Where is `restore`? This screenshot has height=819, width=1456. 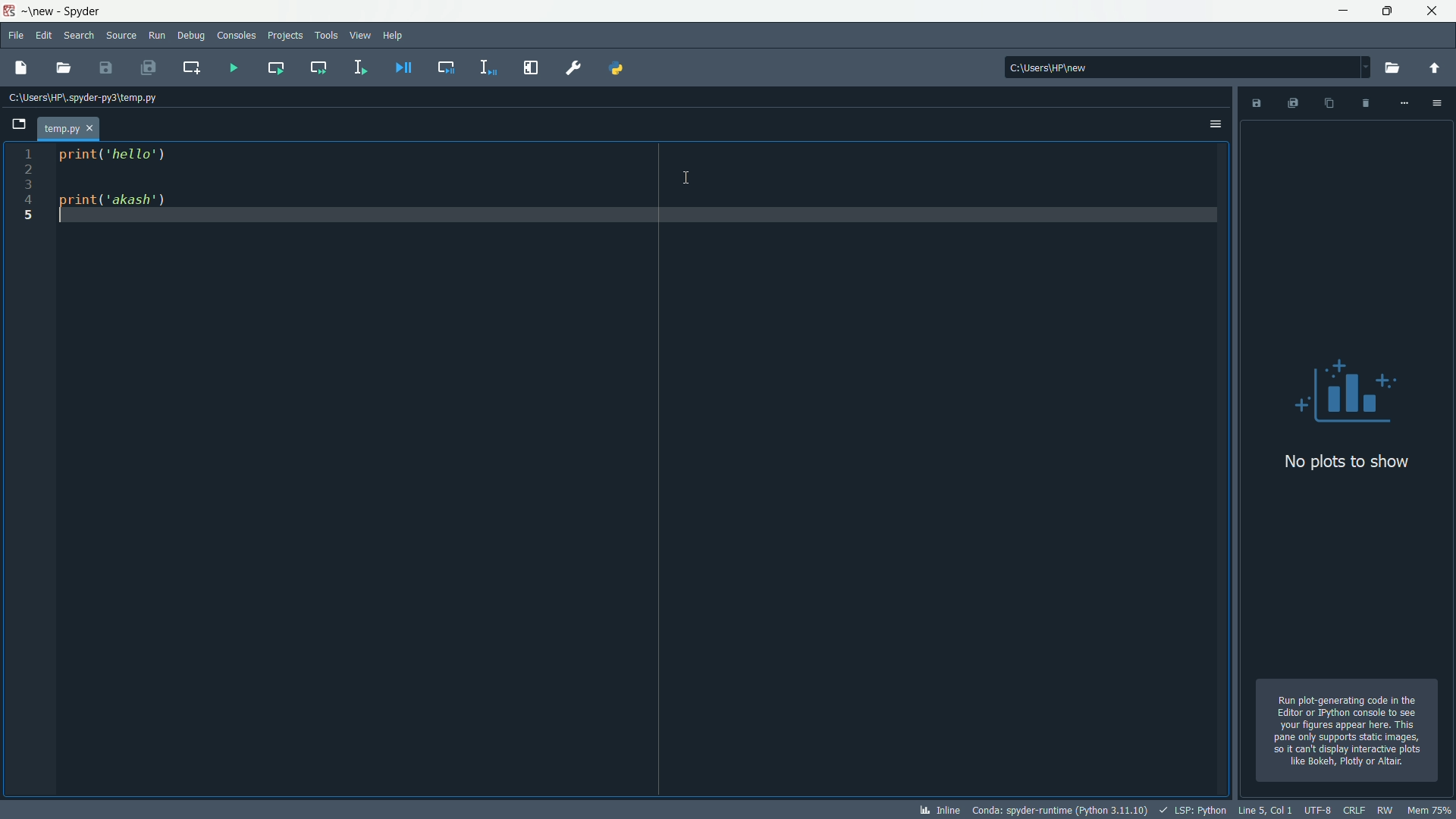 restore is located at coordinates (1388, 11).